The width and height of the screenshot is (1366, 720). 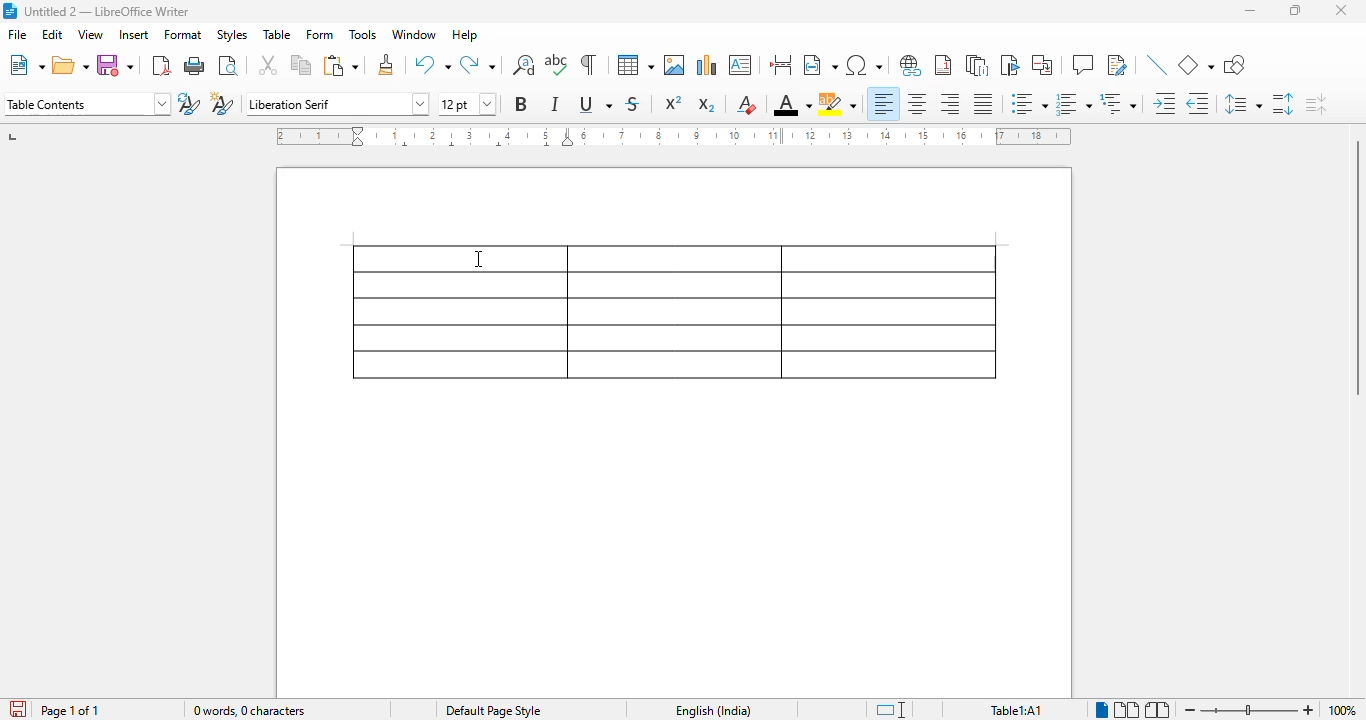 I want to click on find and replace, so click(x=523, y=65).